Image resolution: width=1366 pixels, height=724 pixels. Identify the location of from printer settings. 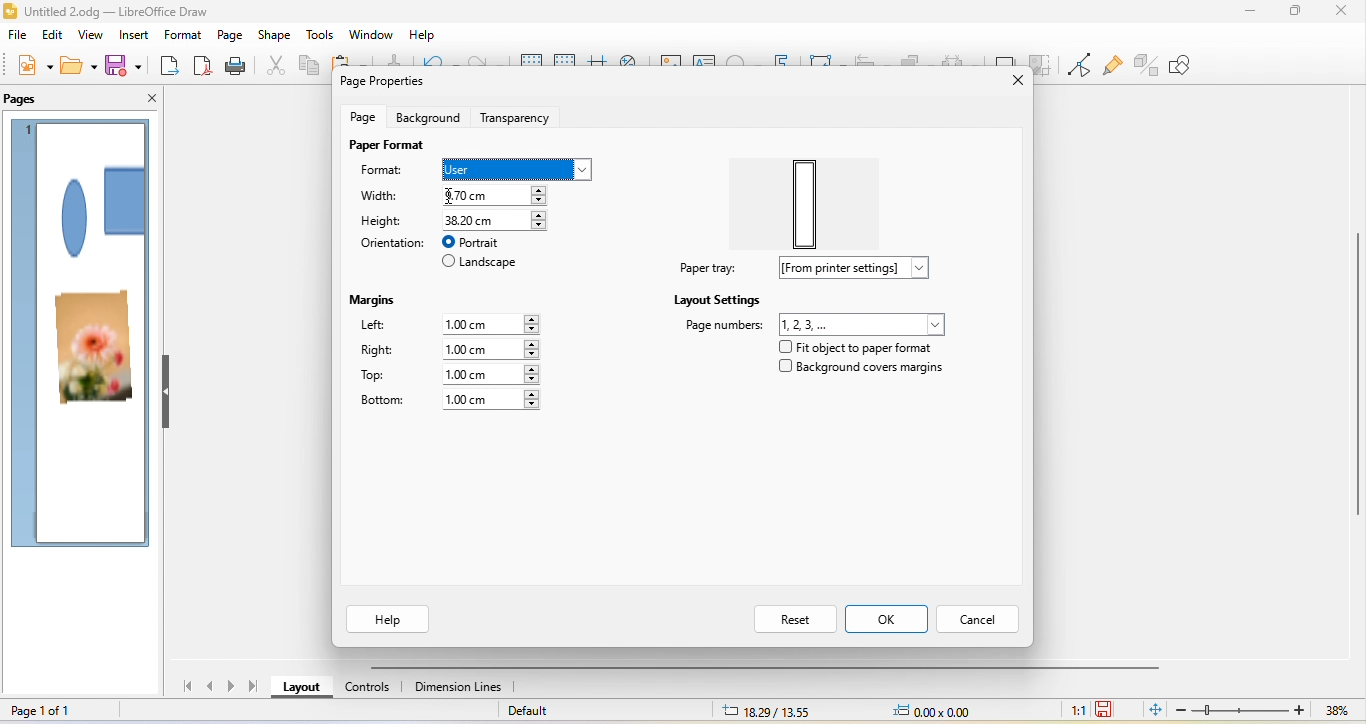
(850, 269).